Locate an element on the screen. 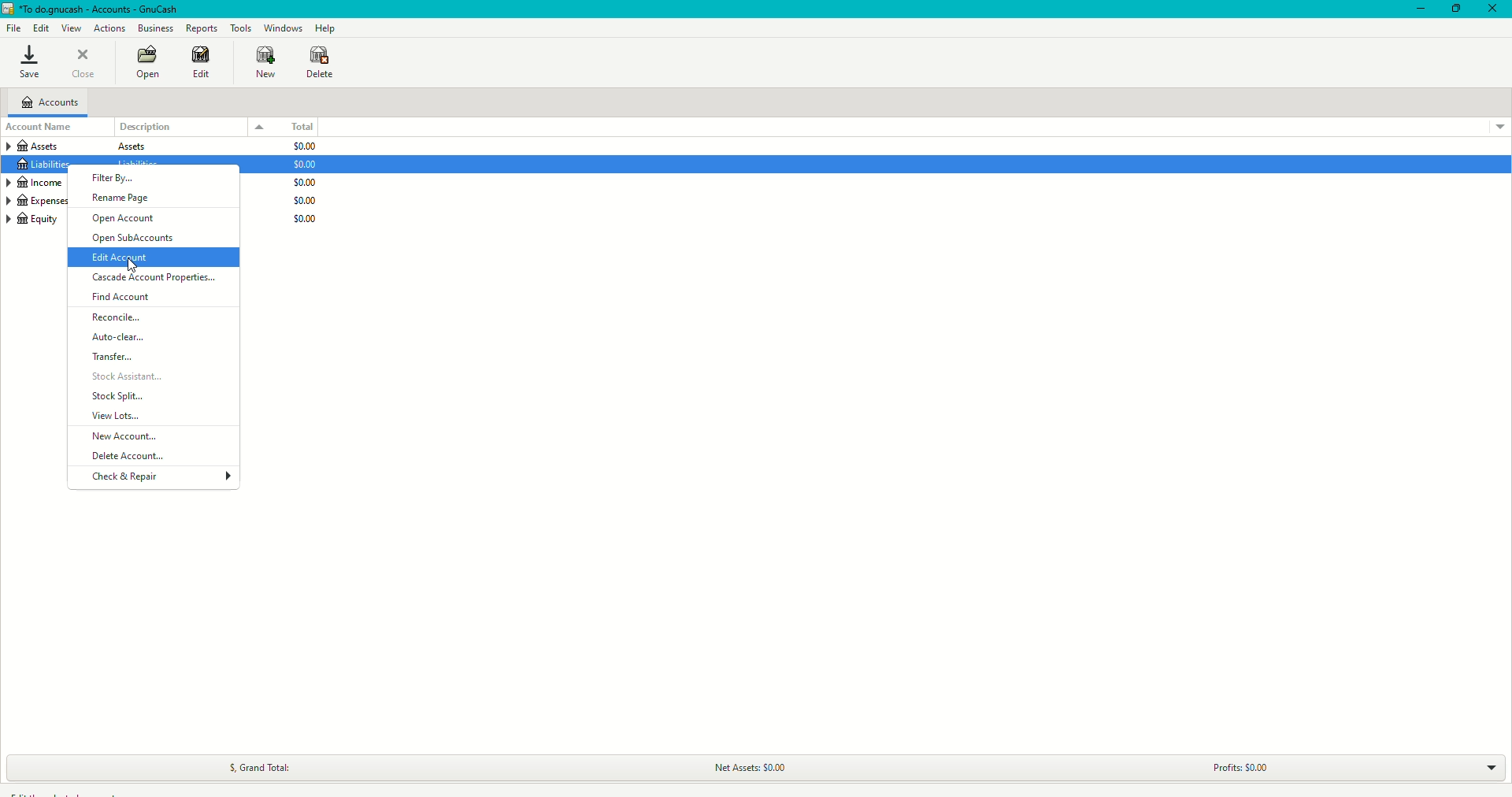  Stock Split is located at coordinates (120, 396).